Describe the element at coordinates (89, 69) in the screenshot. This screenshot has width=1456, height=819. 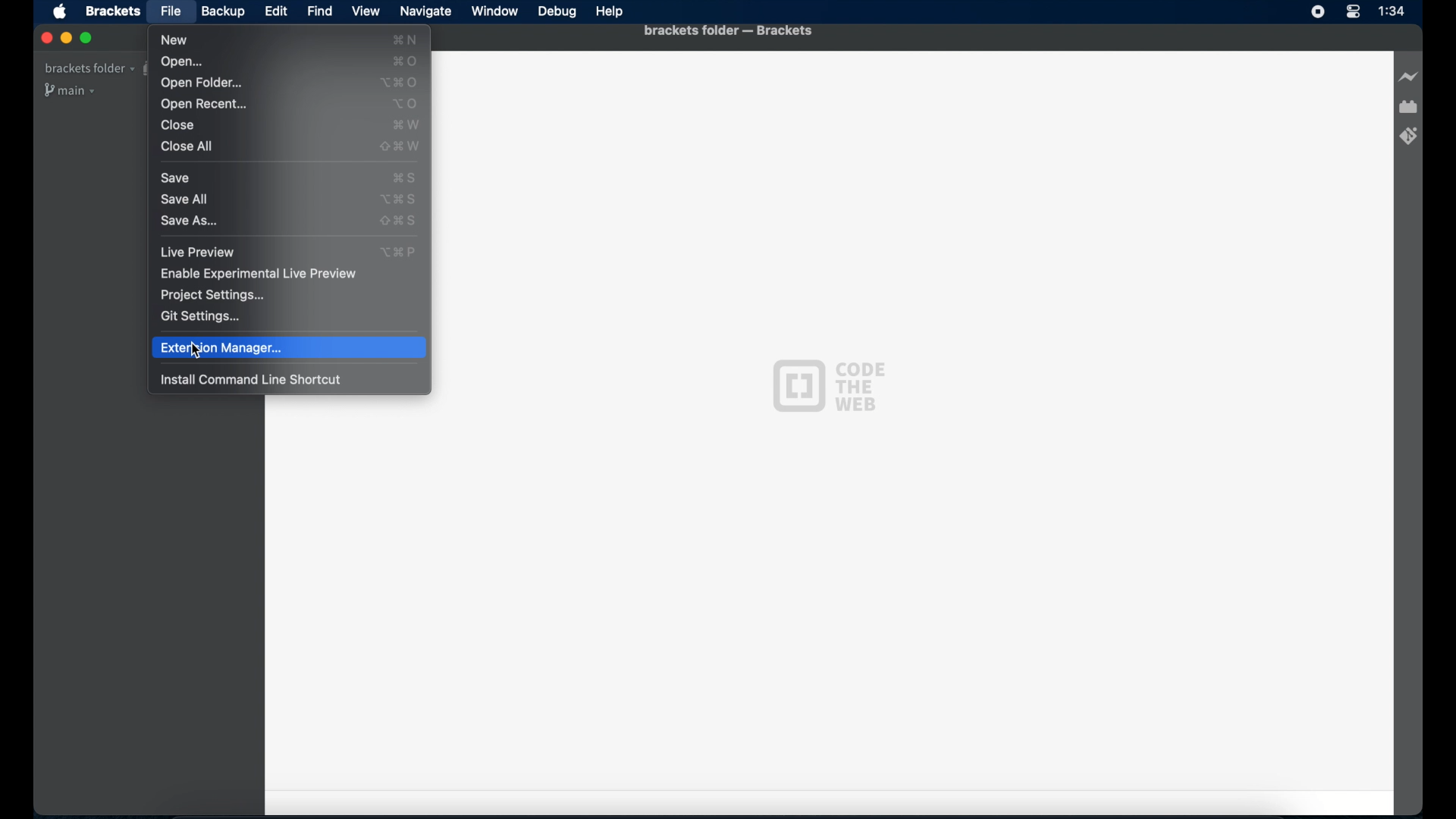
I see `Brackets folder` at that location.